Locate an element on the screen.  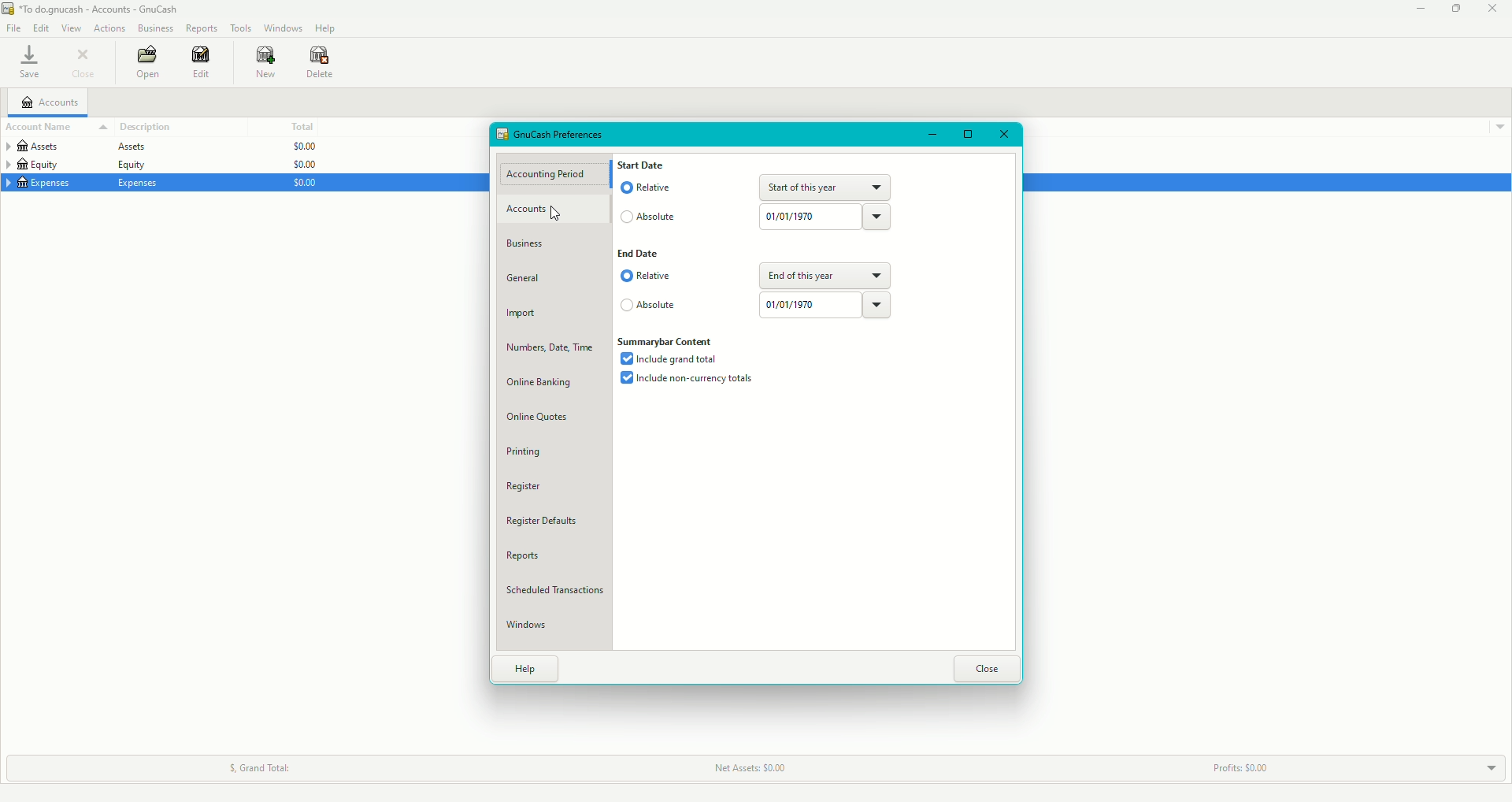
Help is located at coordinates (528, 669).